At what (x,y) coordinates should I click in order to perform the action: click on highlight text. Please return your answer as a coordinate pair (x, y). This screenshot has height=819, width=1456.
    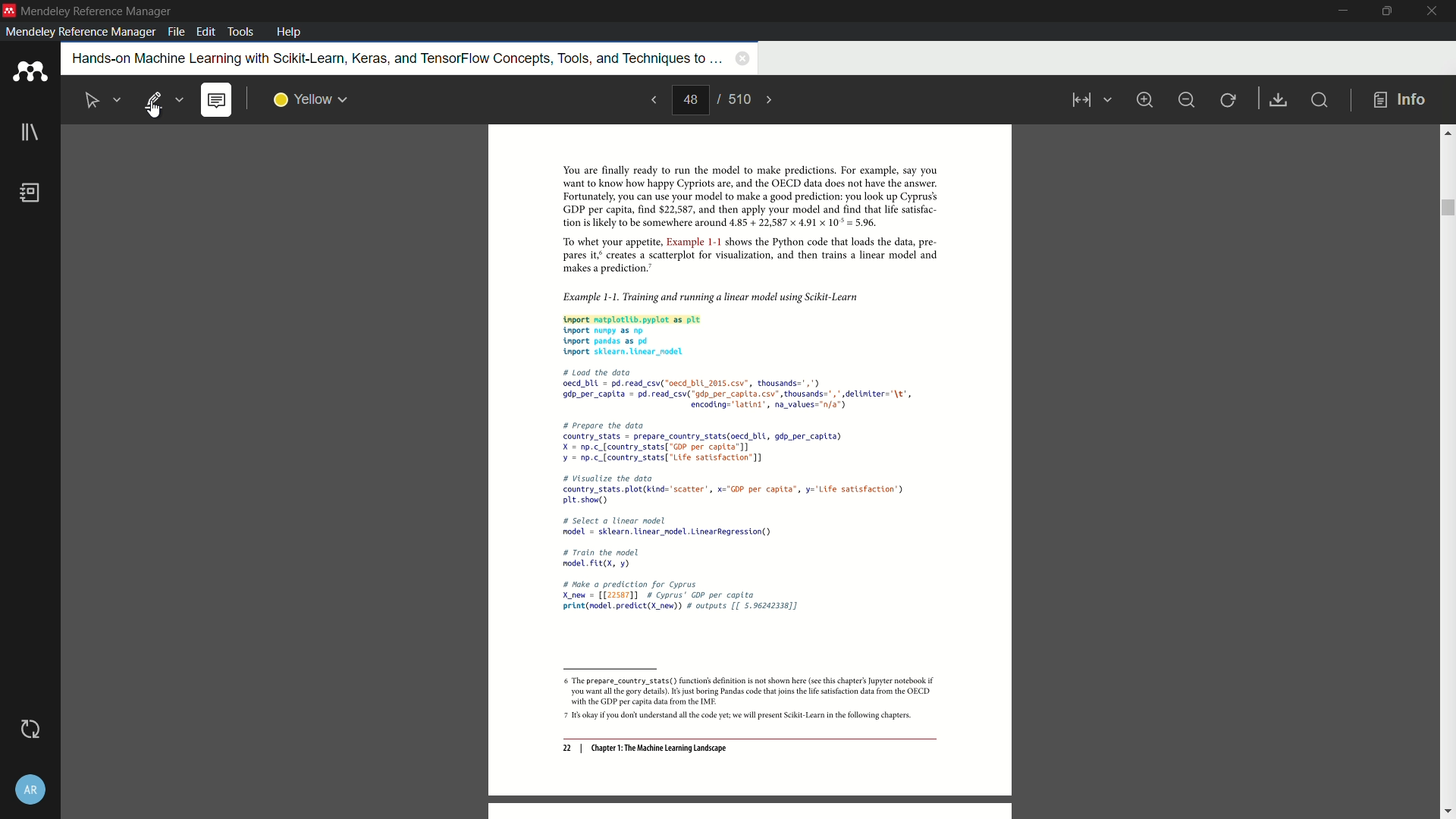
    Looking at the image, I should click on (162, 100).